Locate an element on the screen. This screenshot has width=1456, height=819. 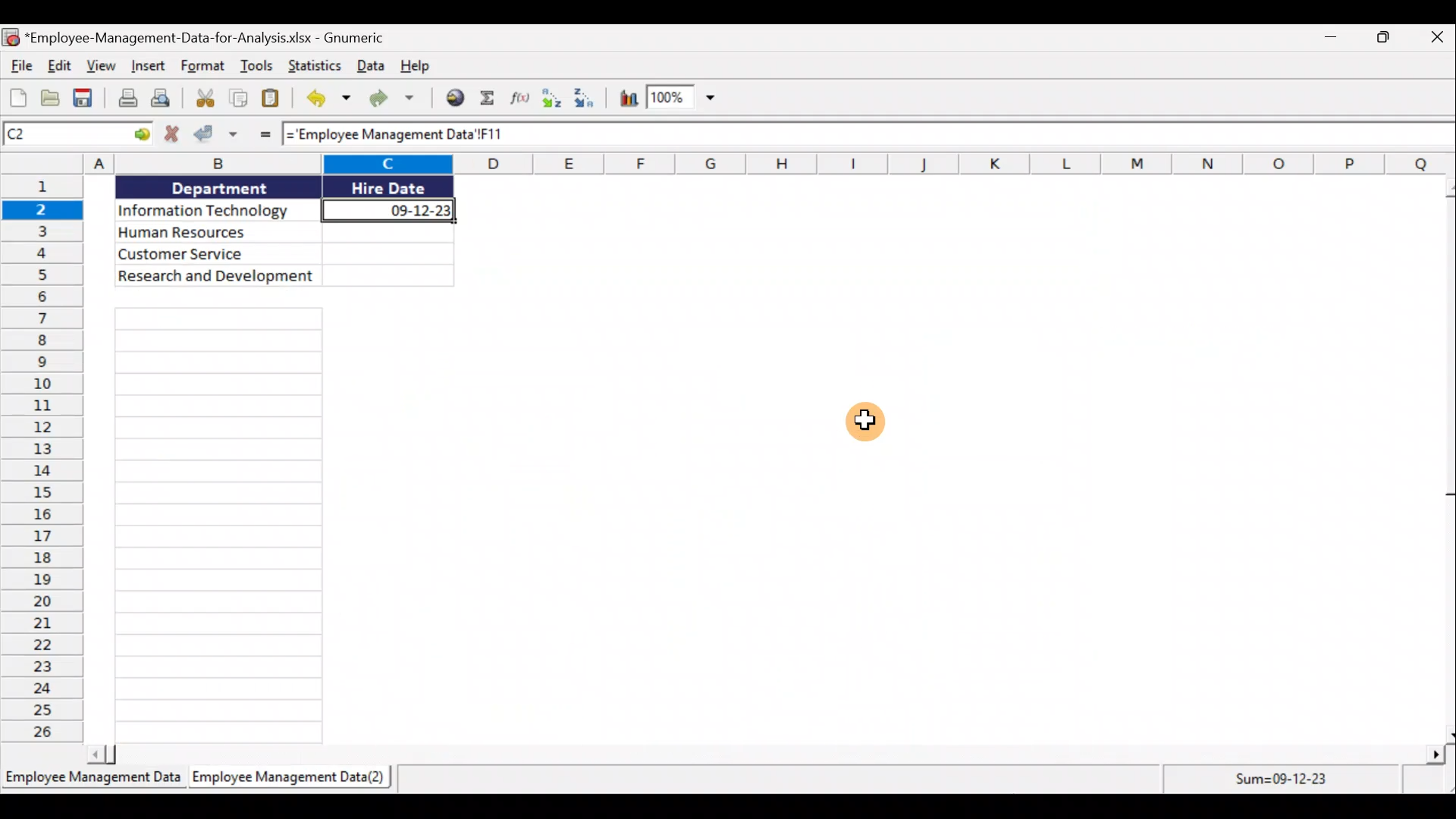
Save the current workbook is located at coordinates (86, 98).